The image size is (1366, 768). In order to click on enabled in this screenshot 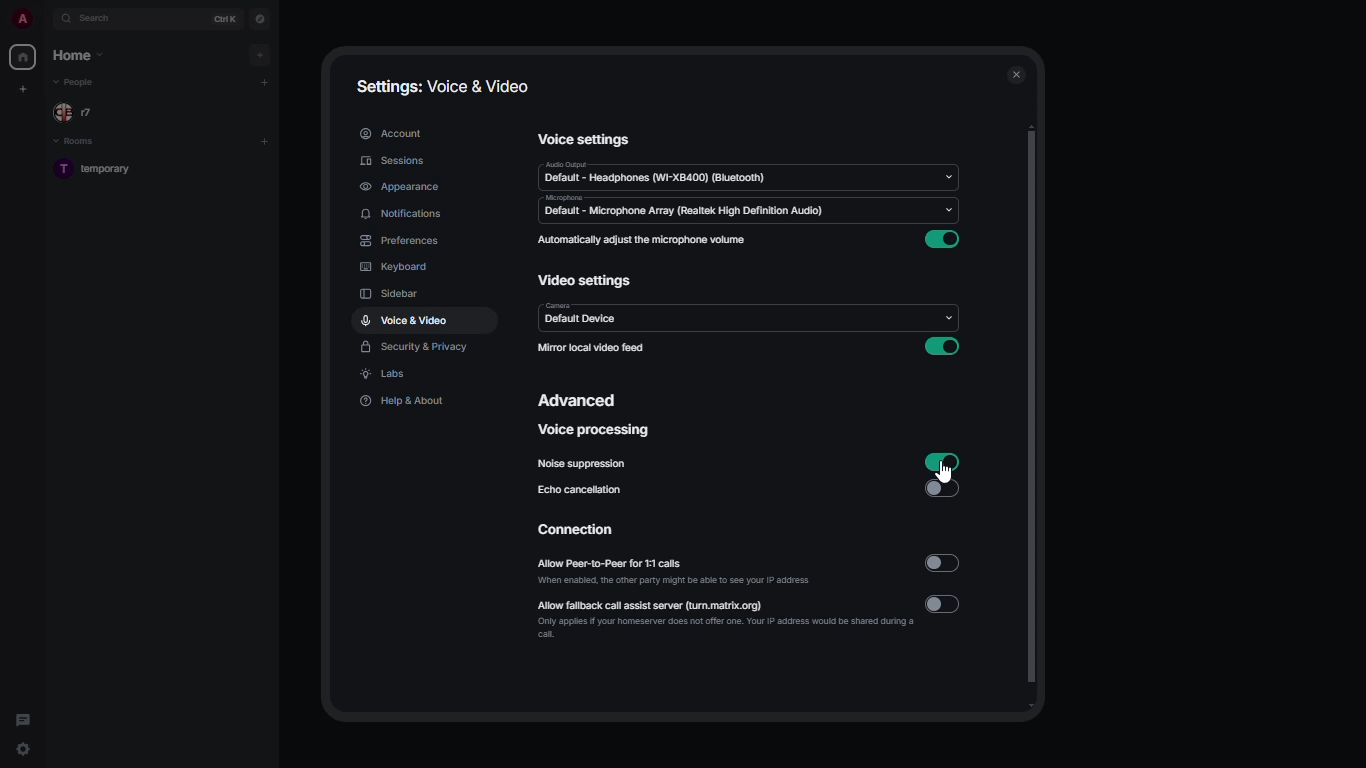, I will do `click(943, 347)`.